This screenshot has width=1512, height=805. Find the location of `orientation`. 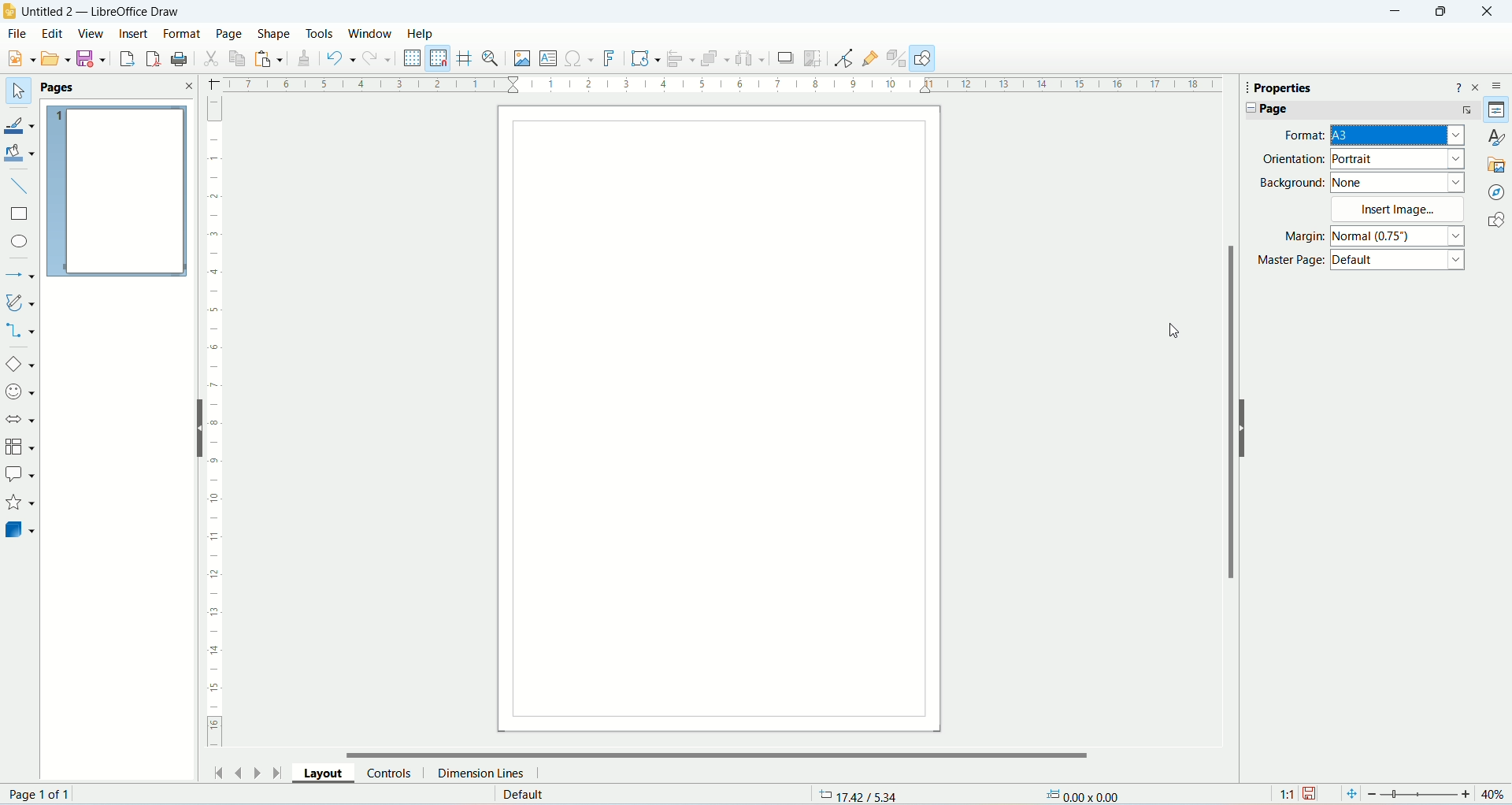

orientation is located at coordinates (1363, 160).